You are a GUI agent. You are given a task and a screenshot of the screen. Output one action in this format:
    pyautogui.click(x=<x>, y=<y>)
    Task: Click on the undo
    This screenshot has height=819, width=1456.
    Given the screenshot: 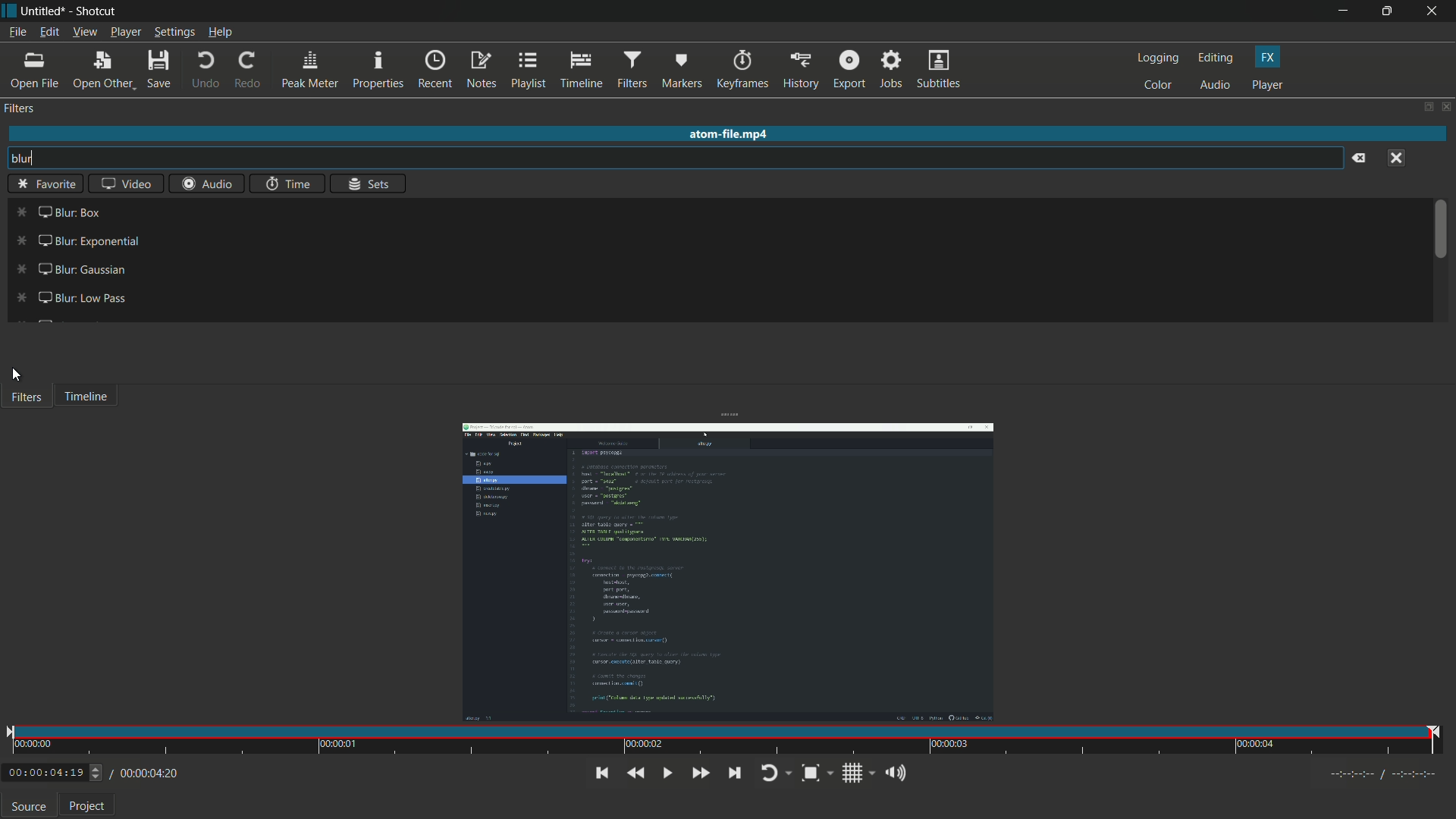 What is the action you would take?
    pyautogui.click(x=203, y=71)
    